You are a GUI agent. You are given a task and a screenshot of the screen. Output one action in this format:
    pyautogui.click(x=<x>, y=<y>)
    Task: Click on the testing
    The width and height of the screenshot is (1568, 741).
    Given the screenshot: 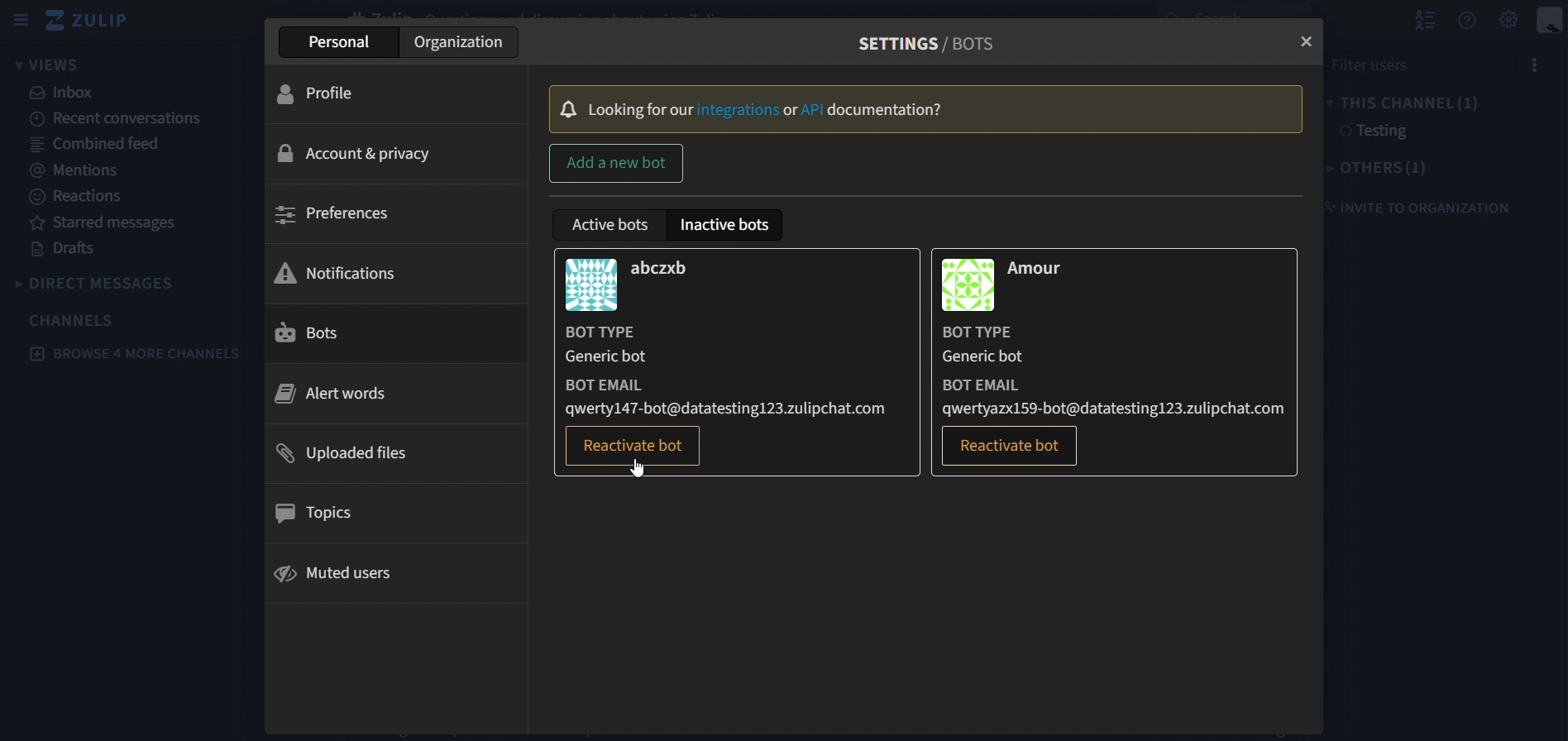 What is the action you would take?
    pyautogui.click(x=1370, y=132)
    